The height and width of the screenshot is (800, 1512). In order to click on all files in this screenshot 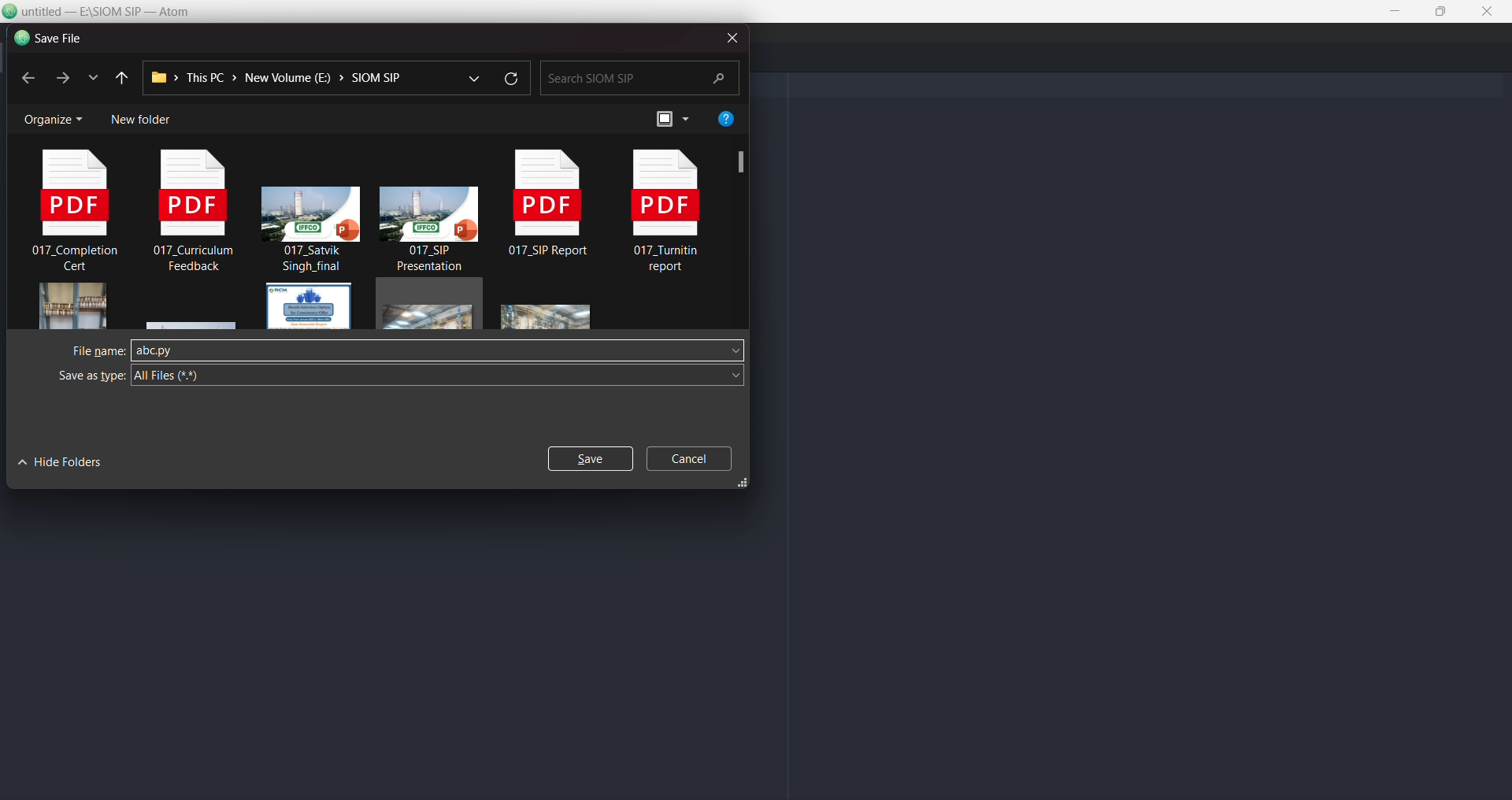, I will do `click(420, 374)`.